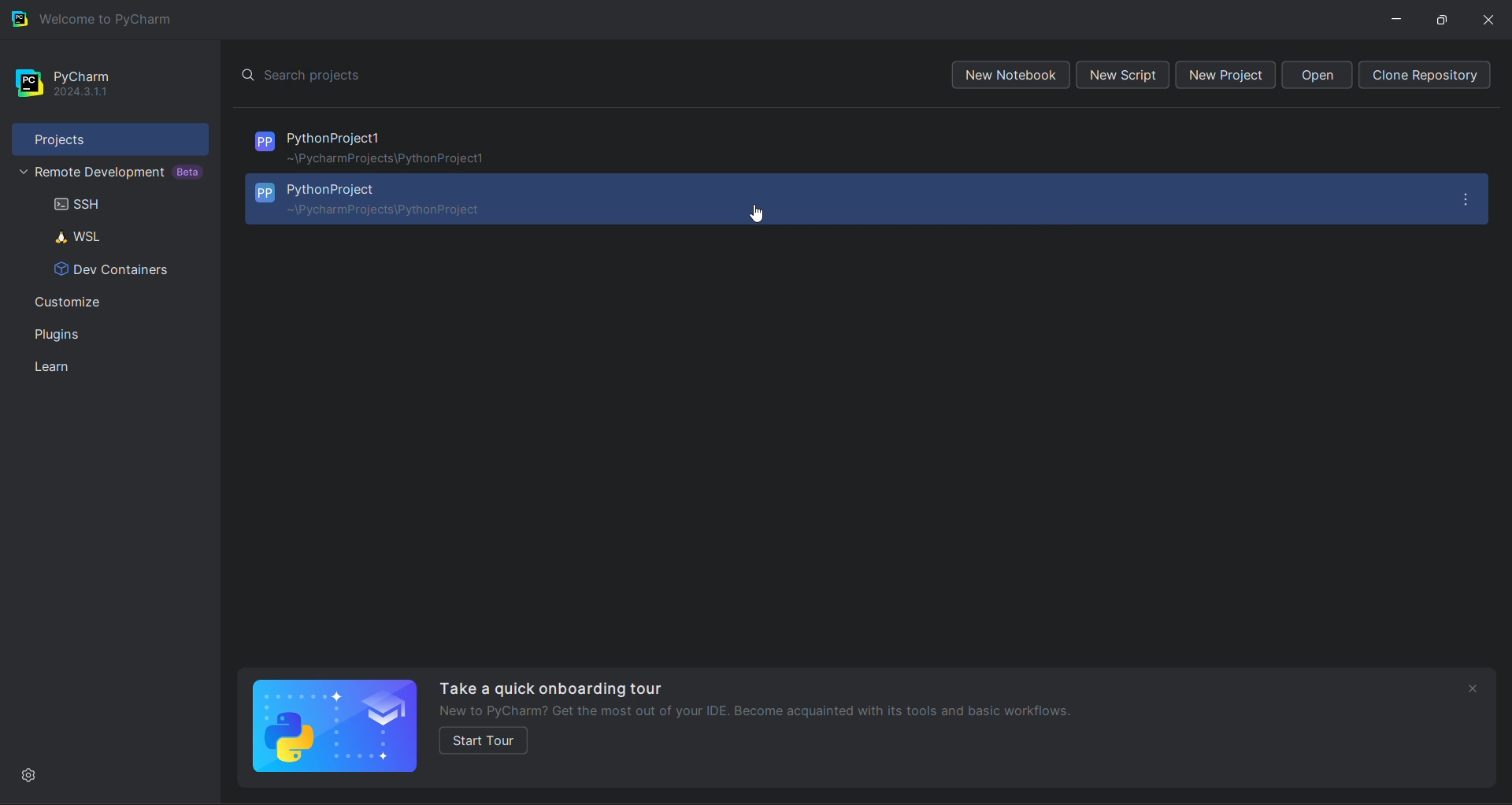 This screenshot has width=1512, height=805. Describe the element at coordinates (110, 301) in the screenshot. I see `customize` at that location.